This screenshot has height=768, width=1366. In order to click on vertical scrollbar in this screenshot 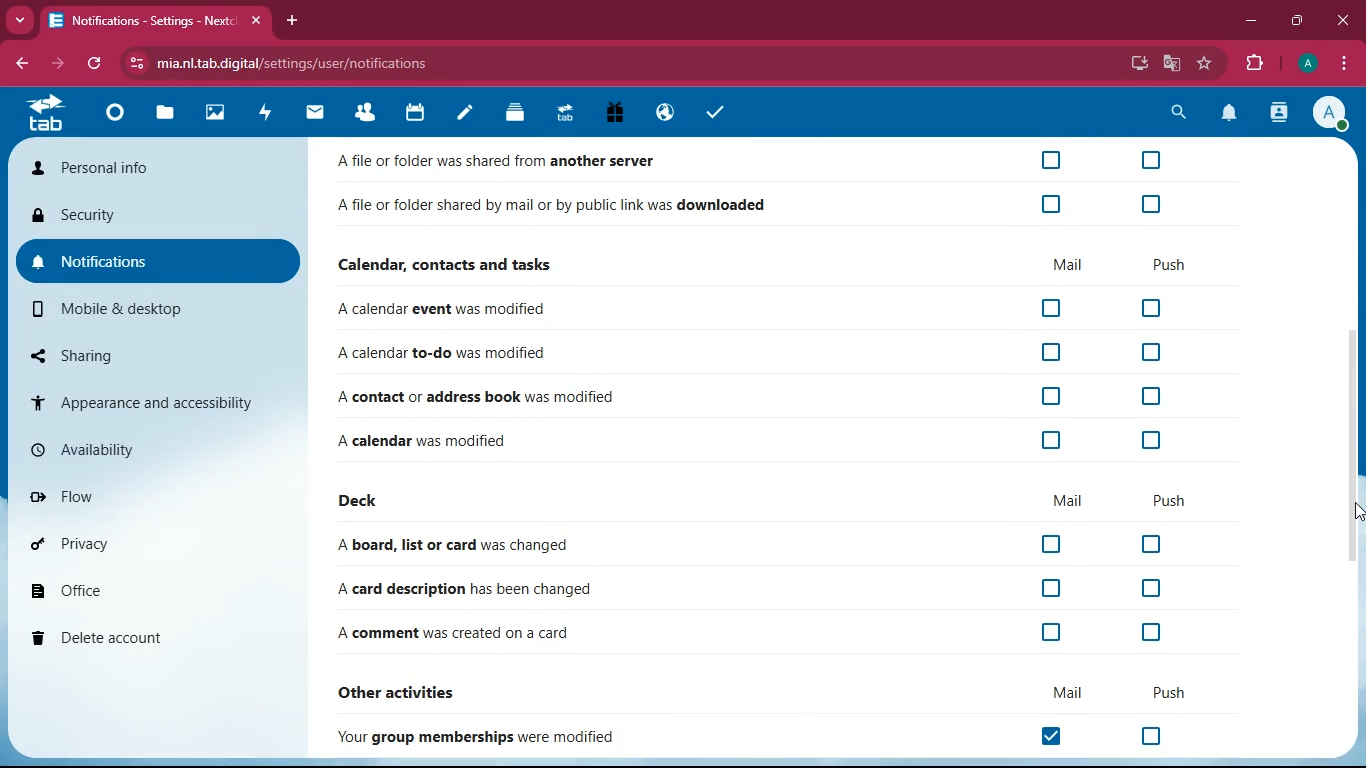, I will do `click(1354, 444)`.